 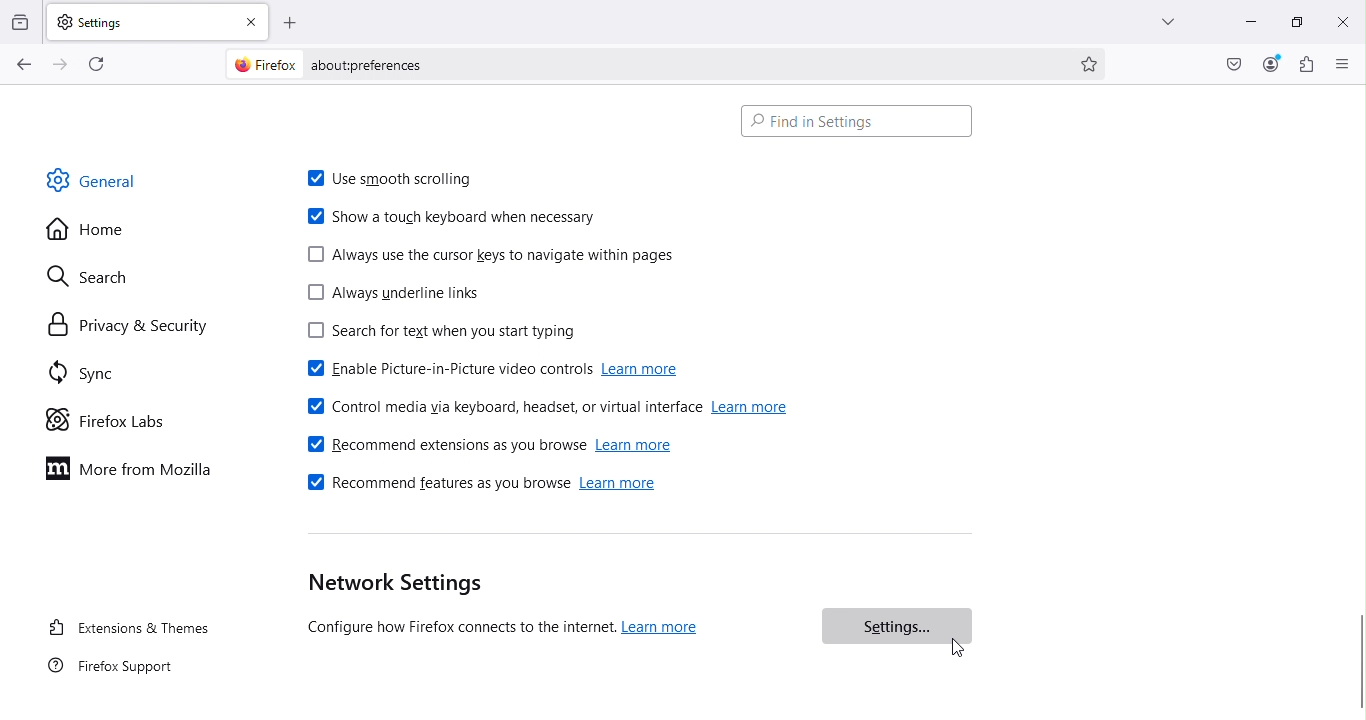 What do you see at coordinates (1345, 65) in the screenshot?
I see `Open application menu` at bounding box center [1345, 65].